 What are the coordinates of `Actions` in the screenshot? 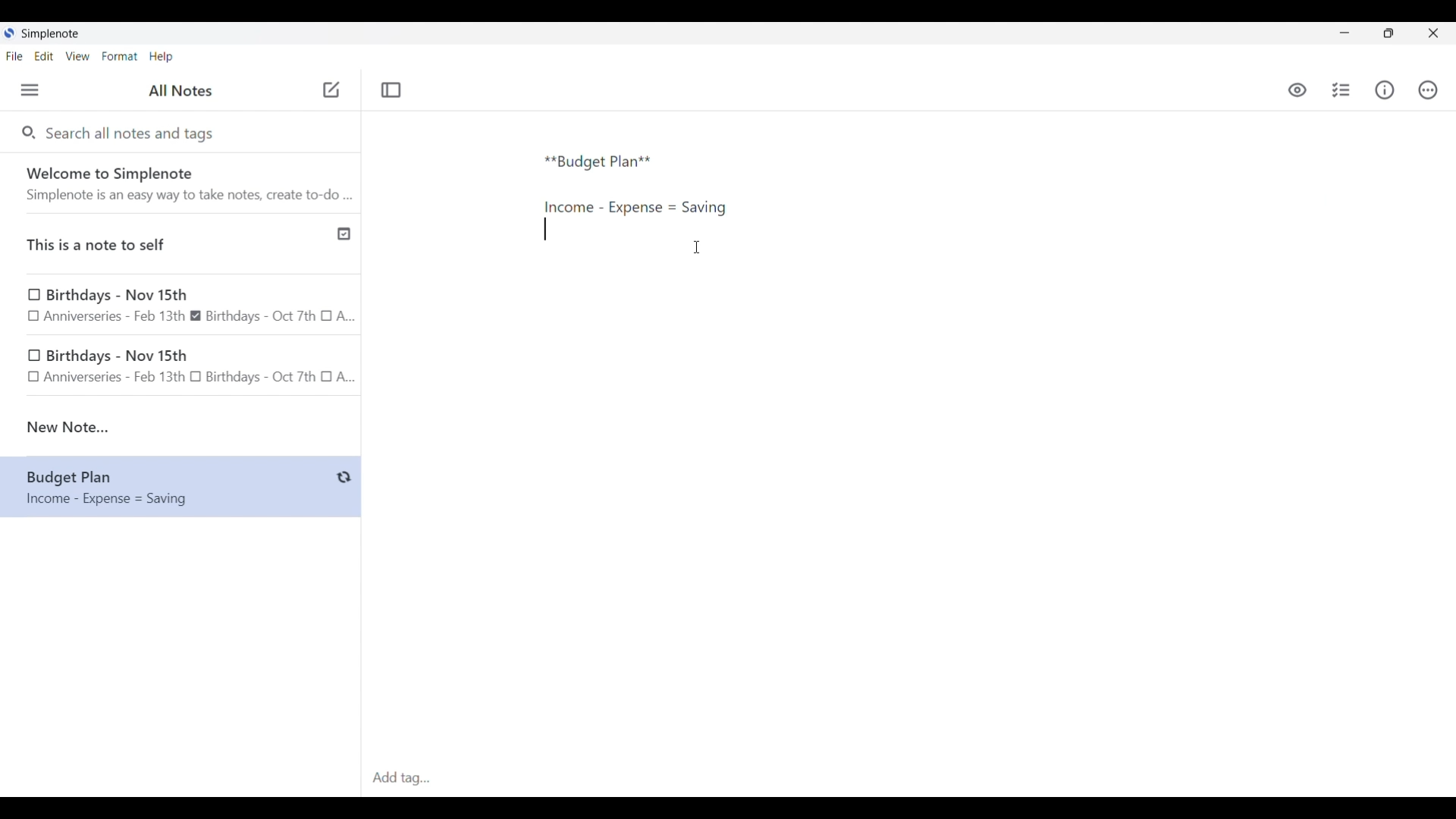 It's located at (1427, 90).